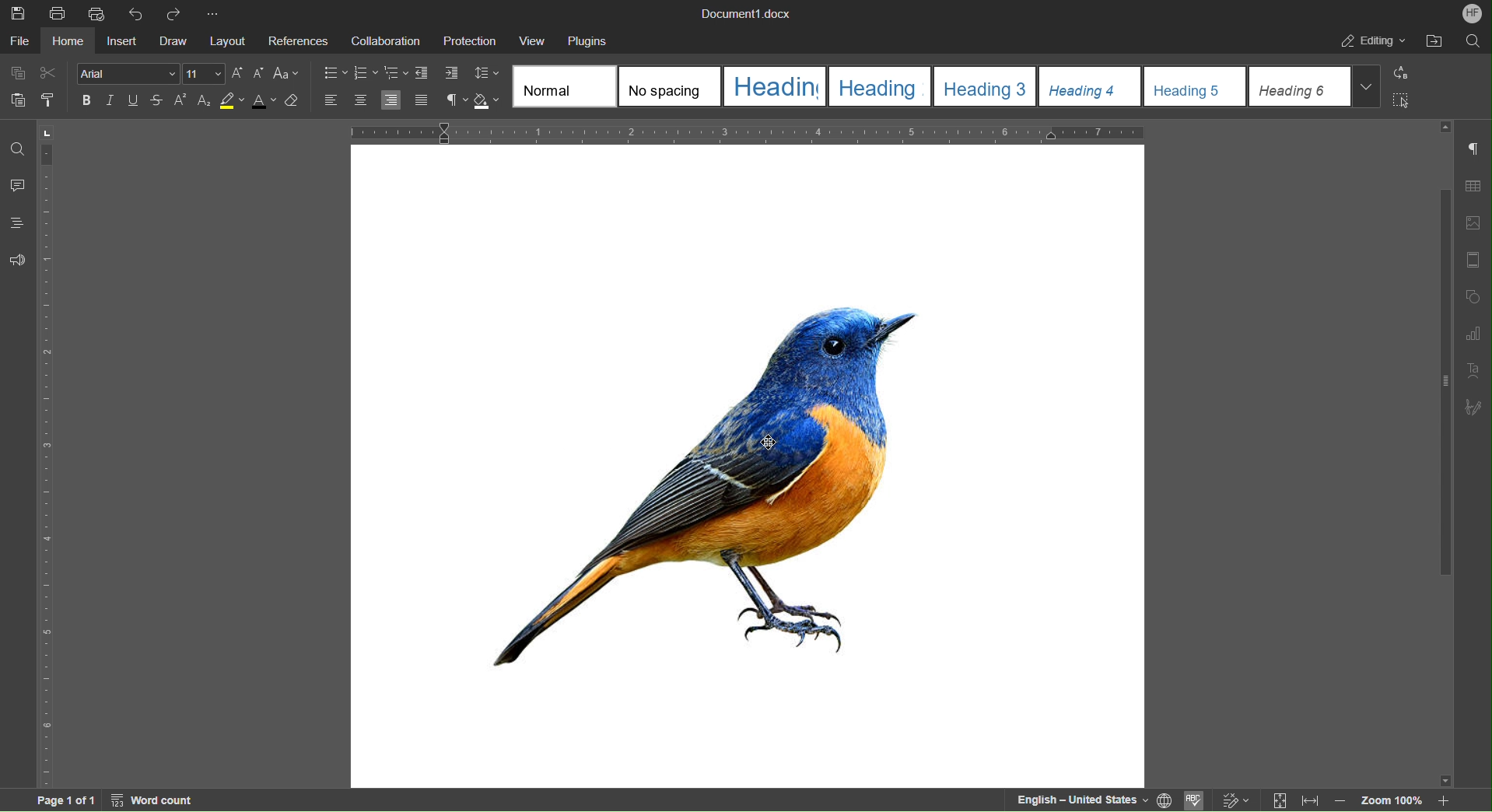  I want to click on Fit to width, so click(1308, 800).